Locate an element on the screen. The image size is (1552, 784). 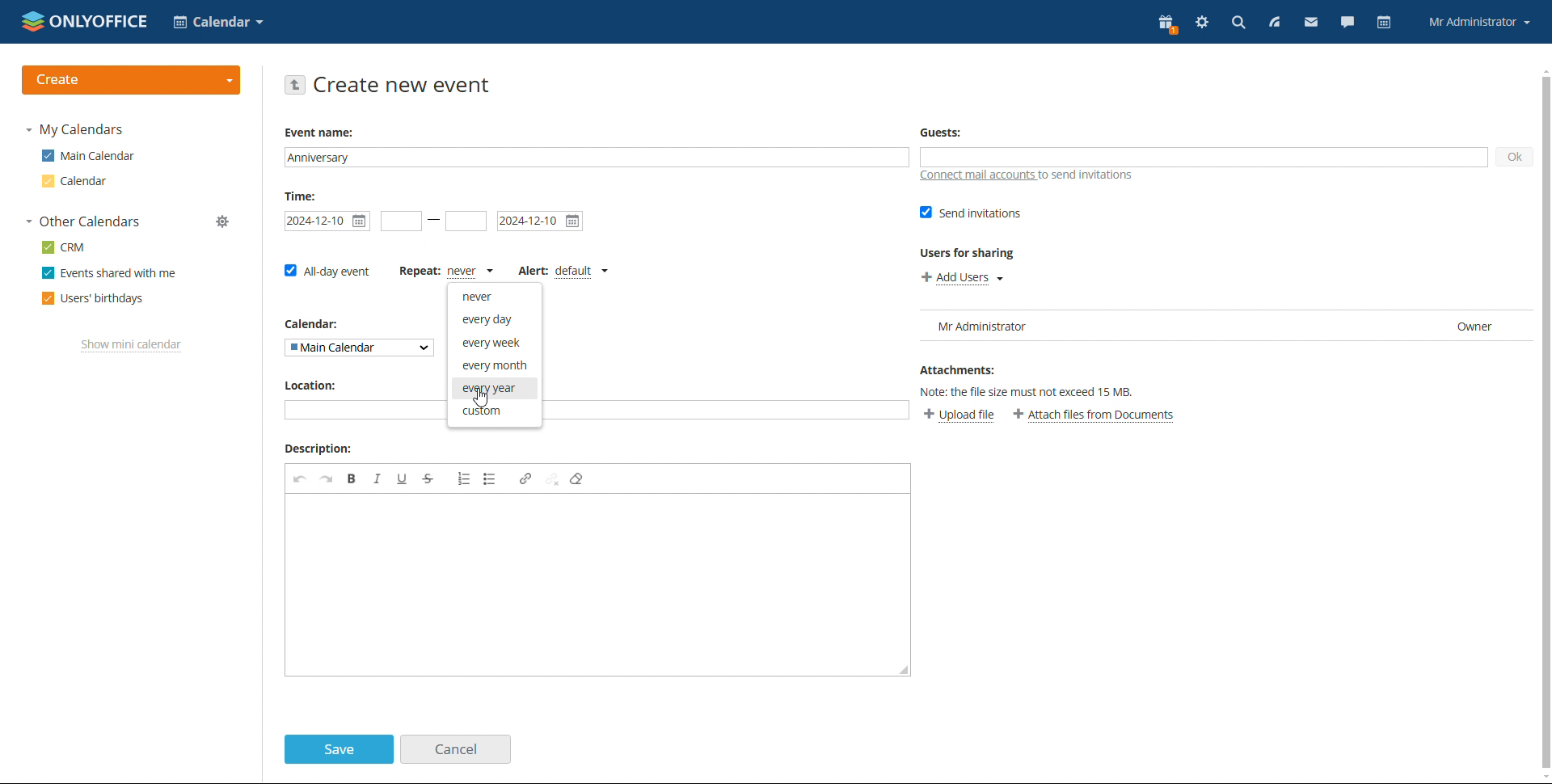
insert/remove numbered list is located at coordinates (465, 478).